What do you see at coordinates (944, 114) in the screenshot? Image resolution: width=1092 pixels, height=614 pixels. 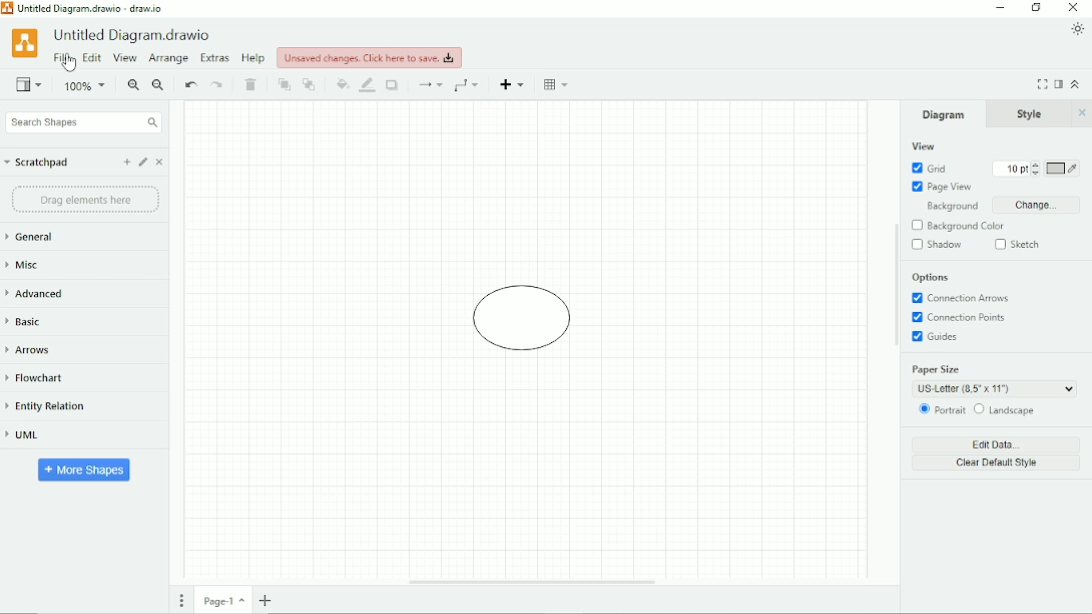 I see `Diagram` at bounding box center [944, 114].